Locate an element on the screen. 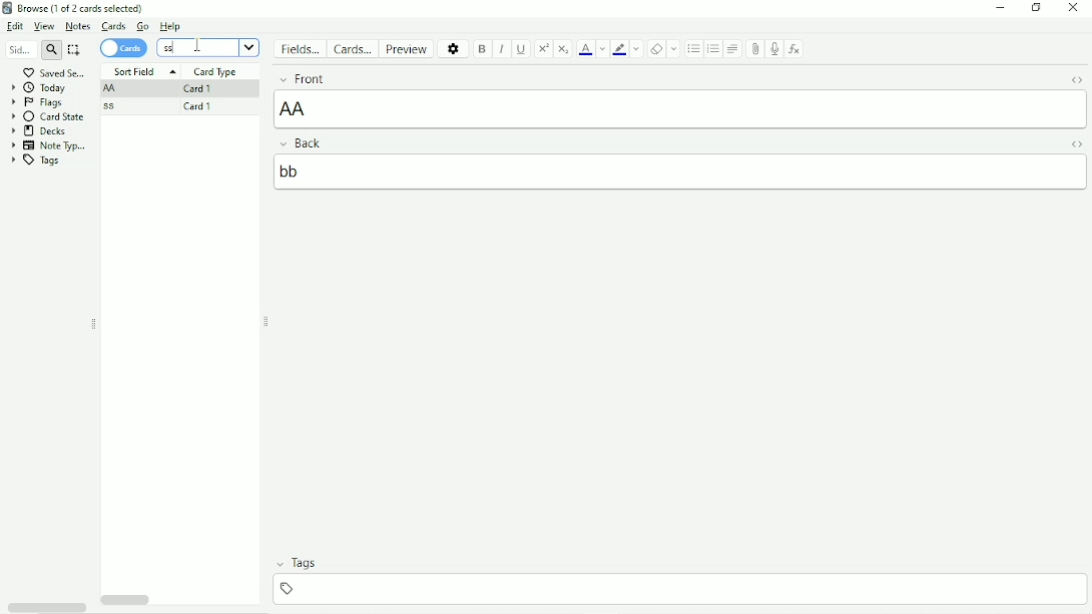  Unordered list is located at coordinates (692, 49).